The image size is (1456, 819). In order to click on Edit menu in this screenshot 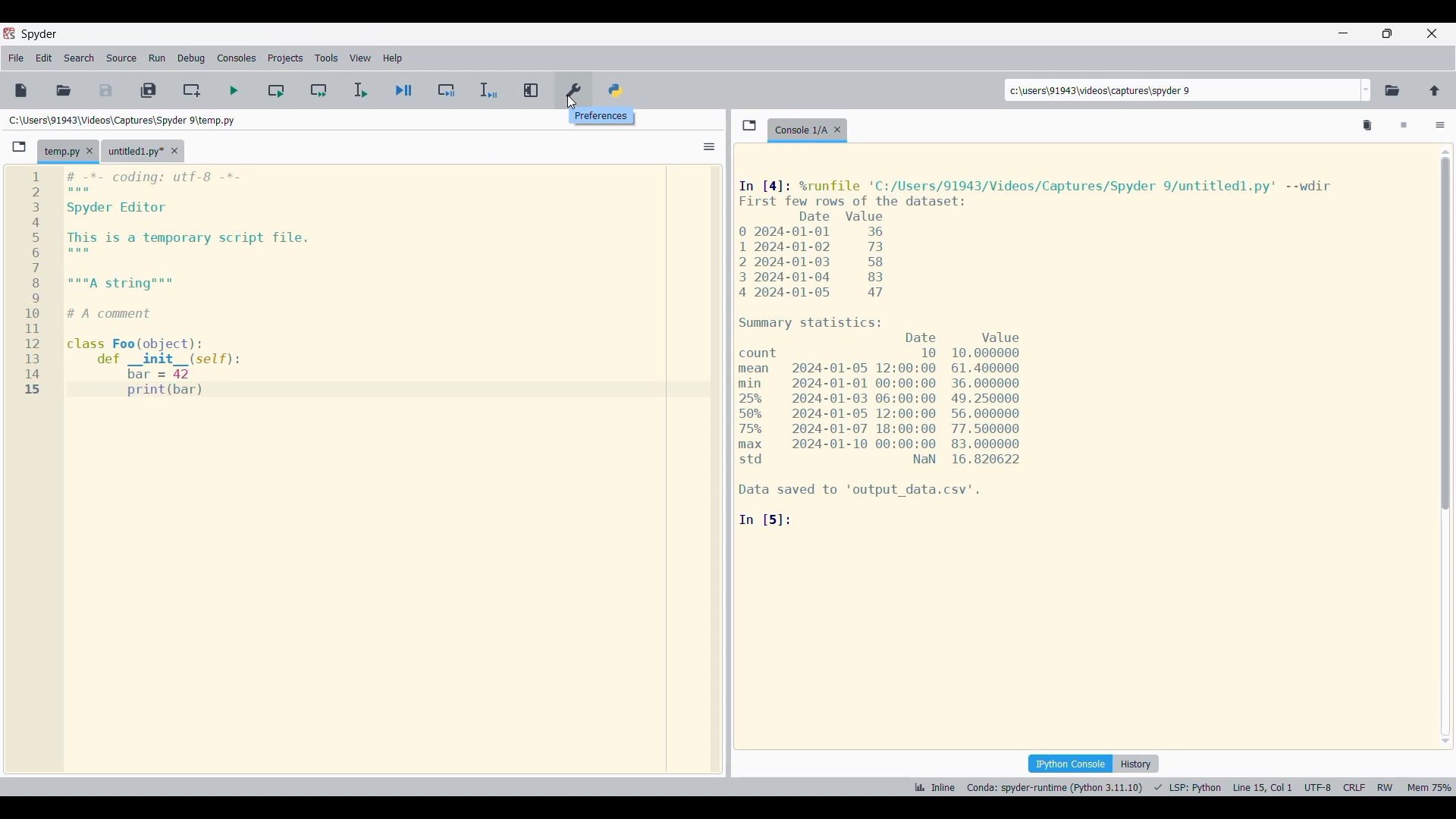, I will do `click(45, 58)`.